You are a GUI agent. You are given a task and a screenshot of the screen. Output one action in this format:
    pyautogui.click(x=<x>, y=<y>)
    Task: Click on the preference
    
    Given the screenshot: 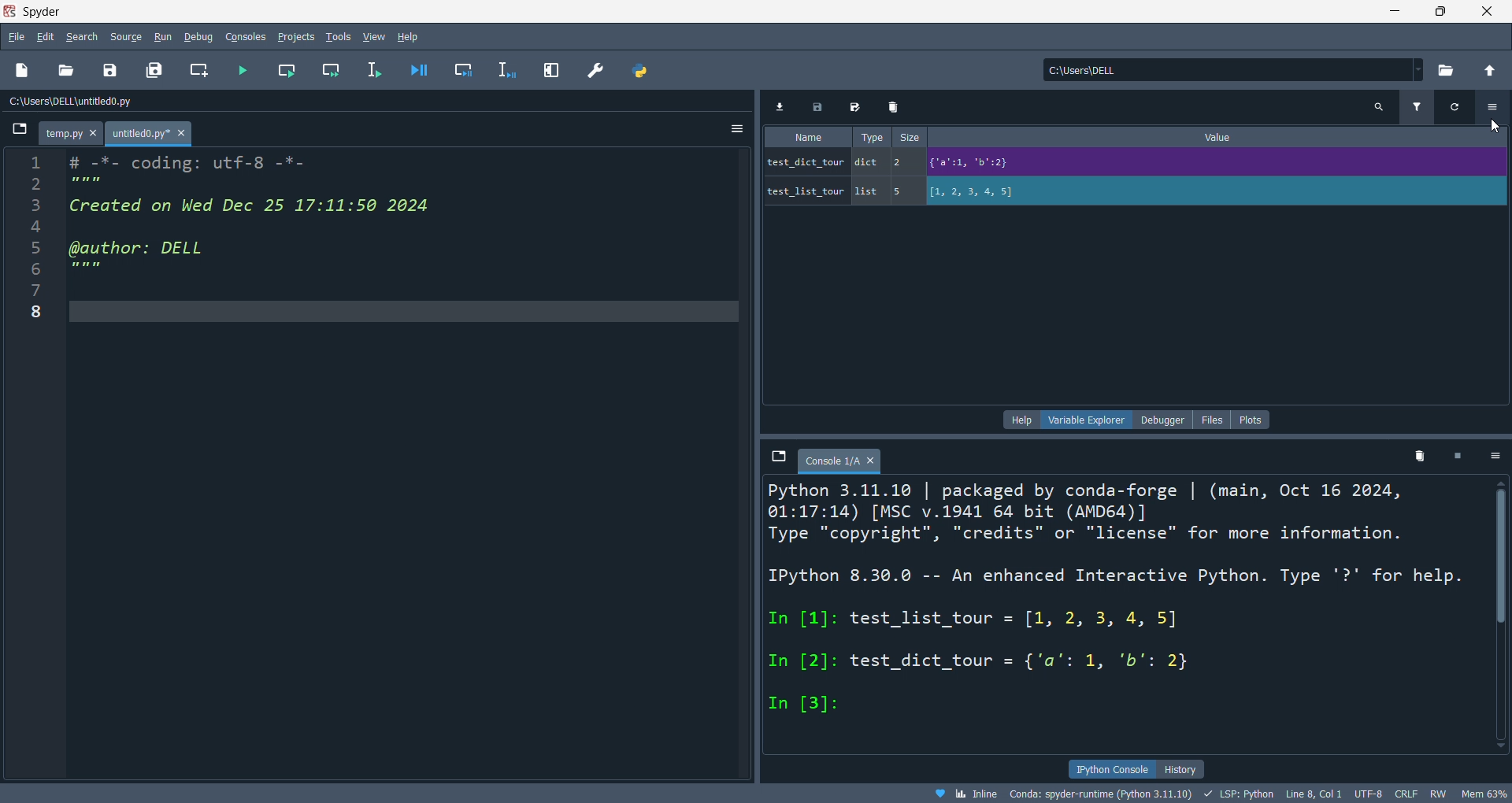 What is the action you would take?
    pyautogui.click(x=595, y=69)
    